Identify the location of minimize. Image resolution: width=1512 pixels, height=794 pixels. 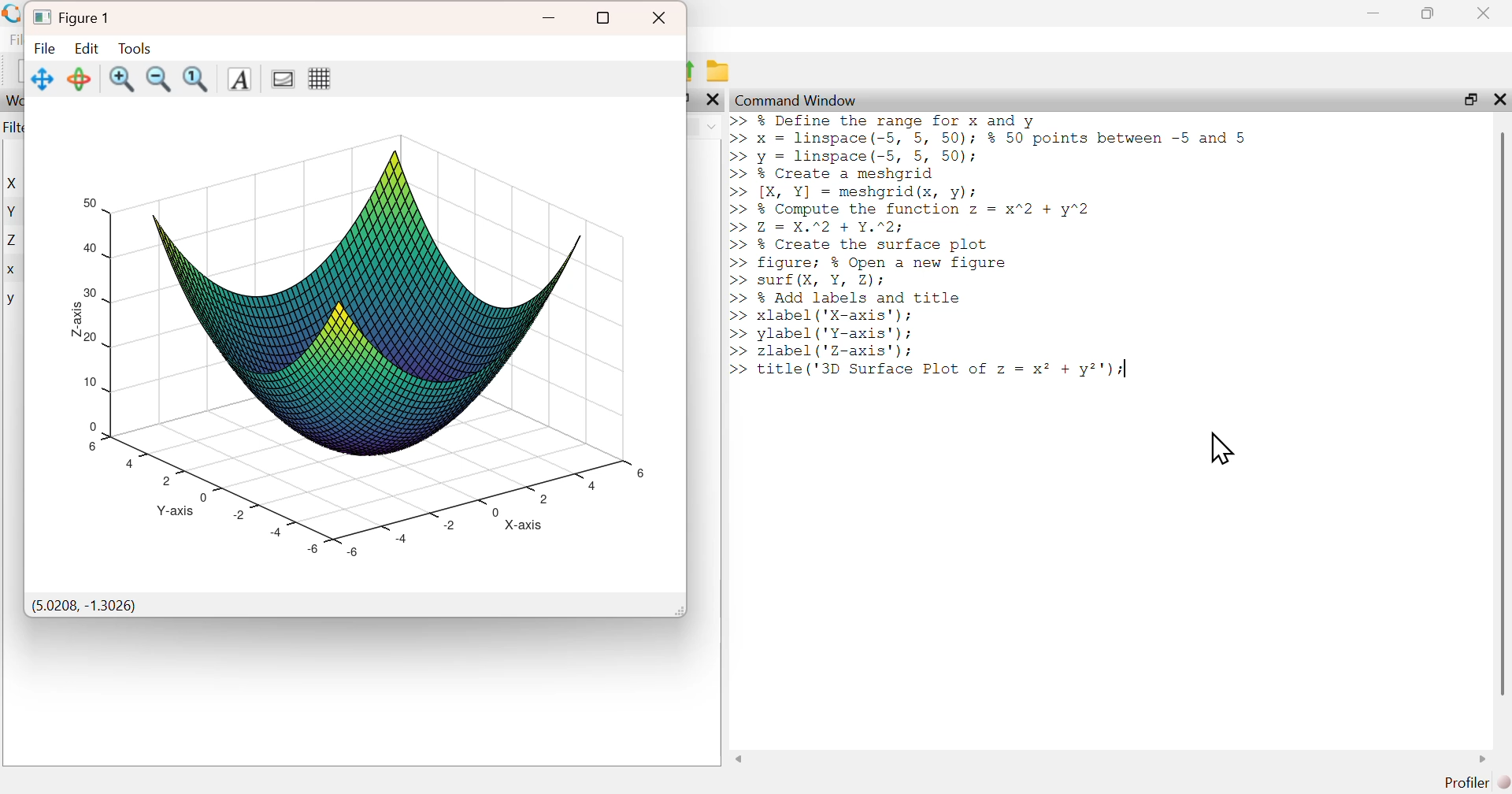
(550, 18).